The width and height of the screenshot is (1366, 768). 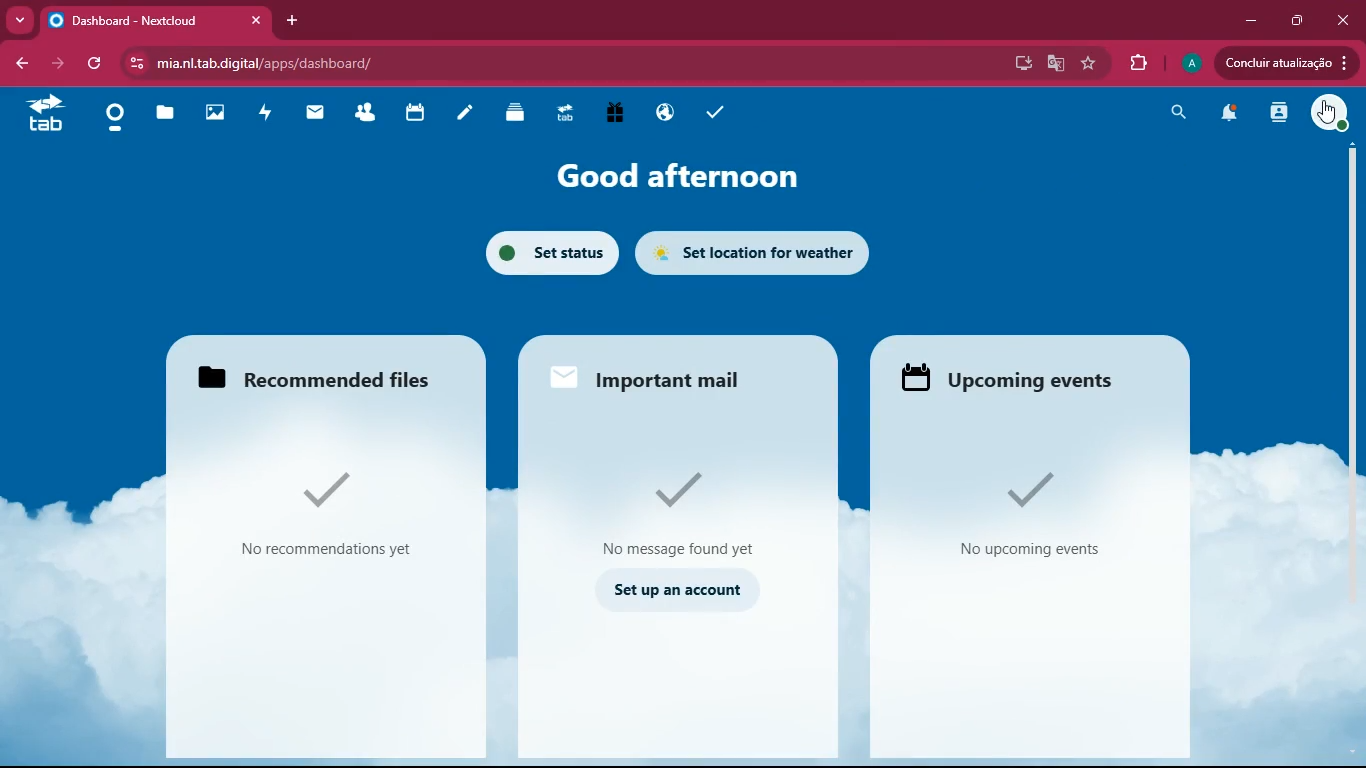 I want to click on search, so click(x=1178, y=113).